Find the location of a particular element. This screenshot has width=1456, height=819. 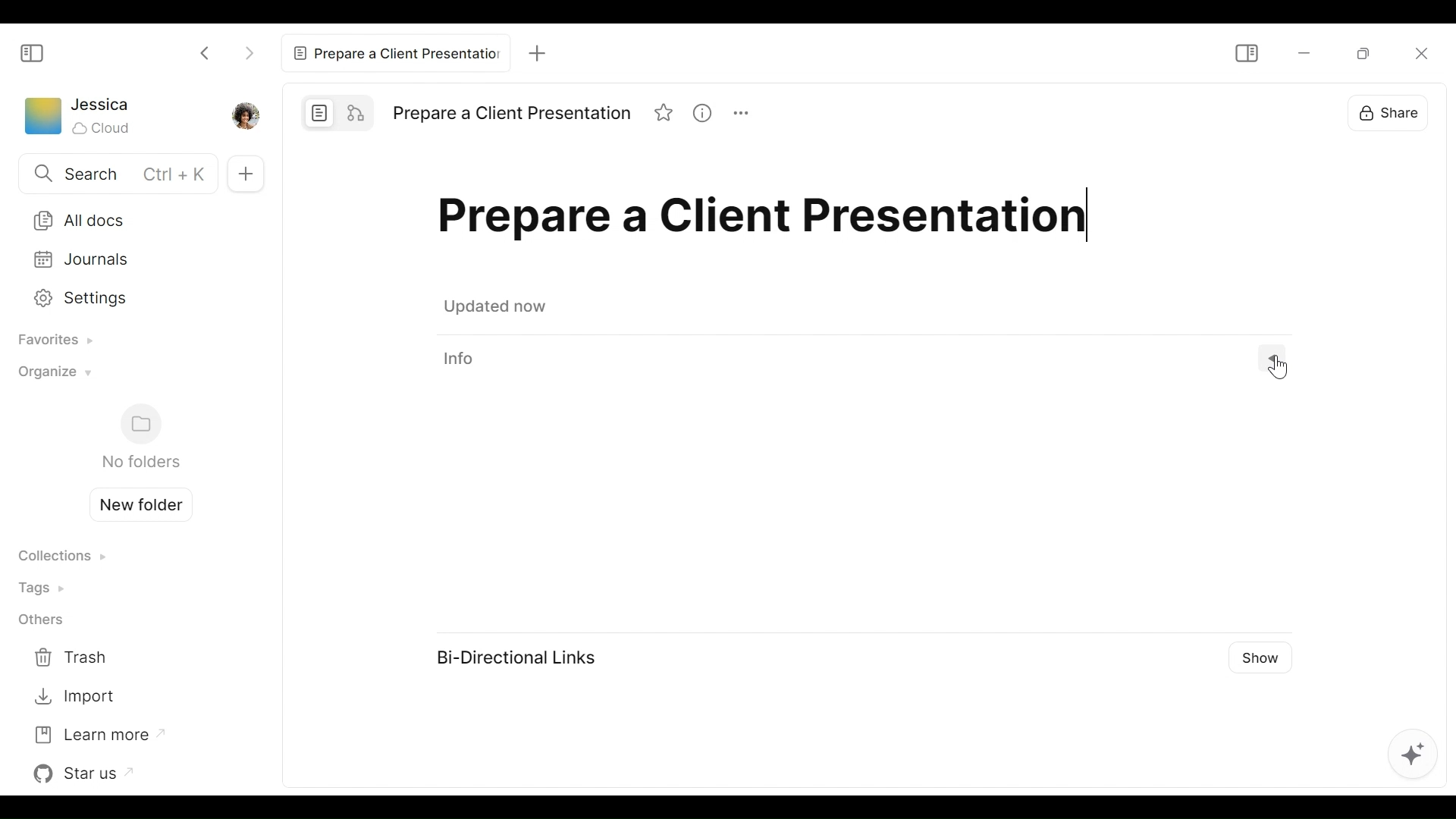

Profile picture is located at coordinates (243, 115).